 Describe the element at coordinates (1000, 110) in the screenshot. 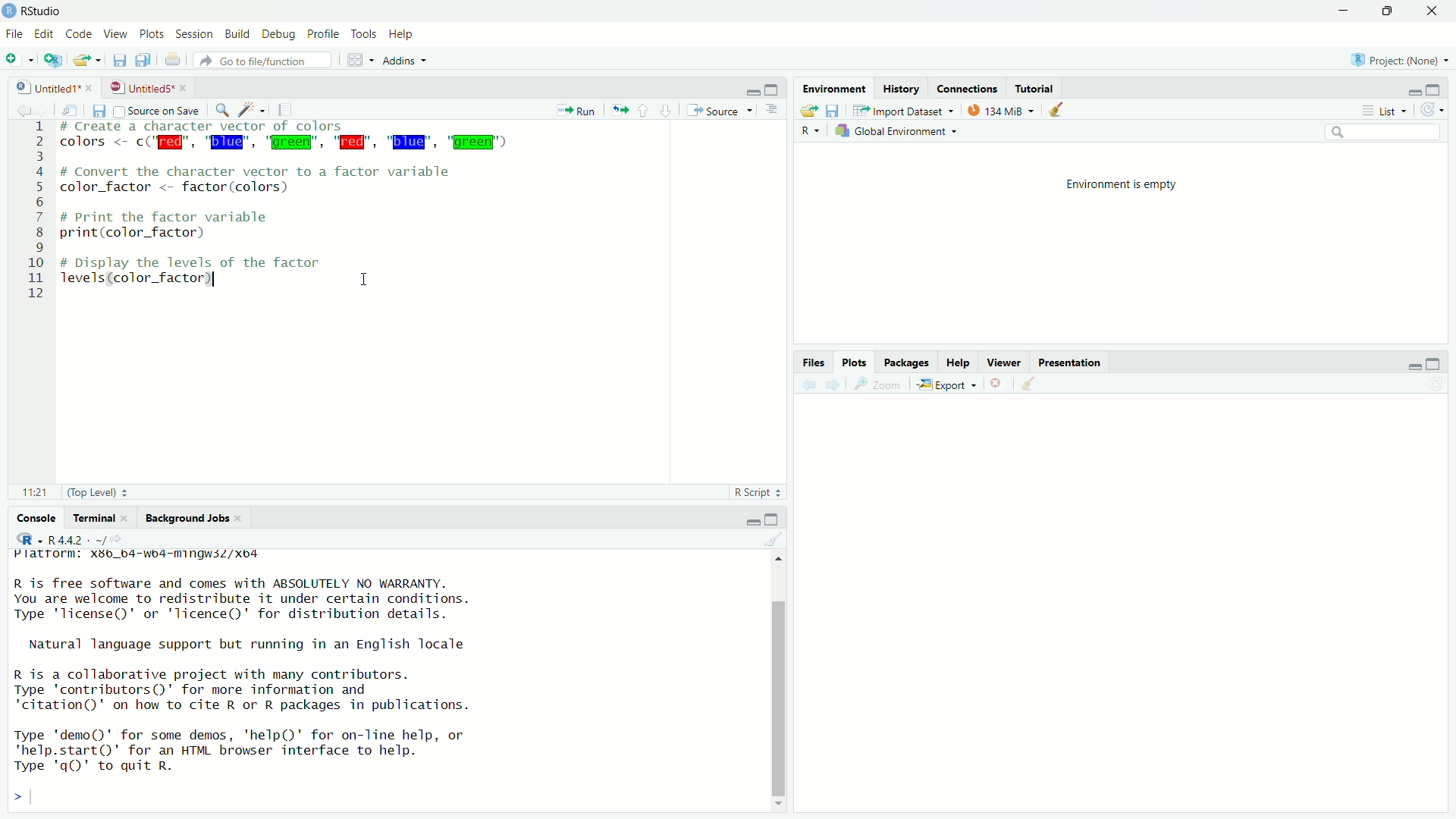

I see `134 MiB` at that location.